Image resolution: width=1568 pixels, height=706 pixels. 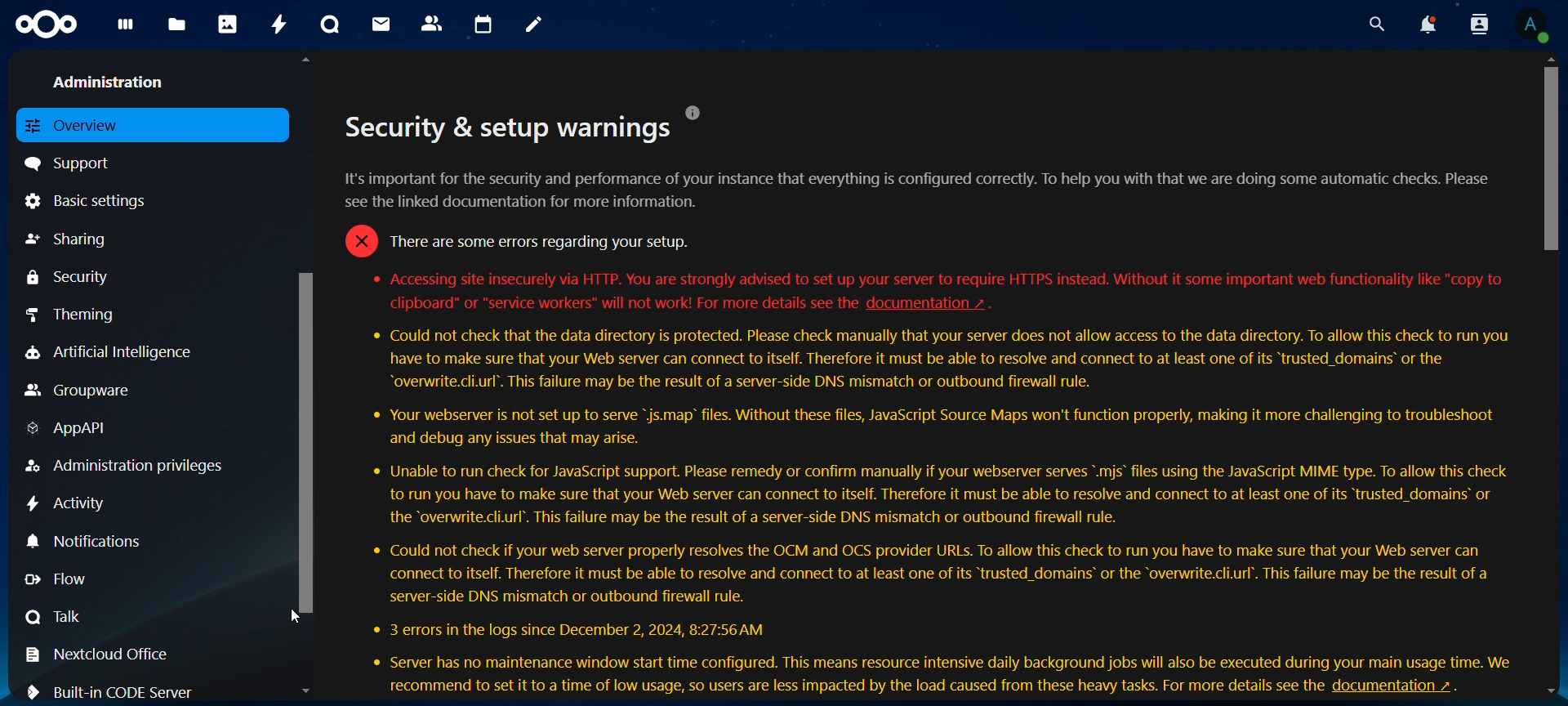 I want to click on cursor, so click(x=296, y=617).